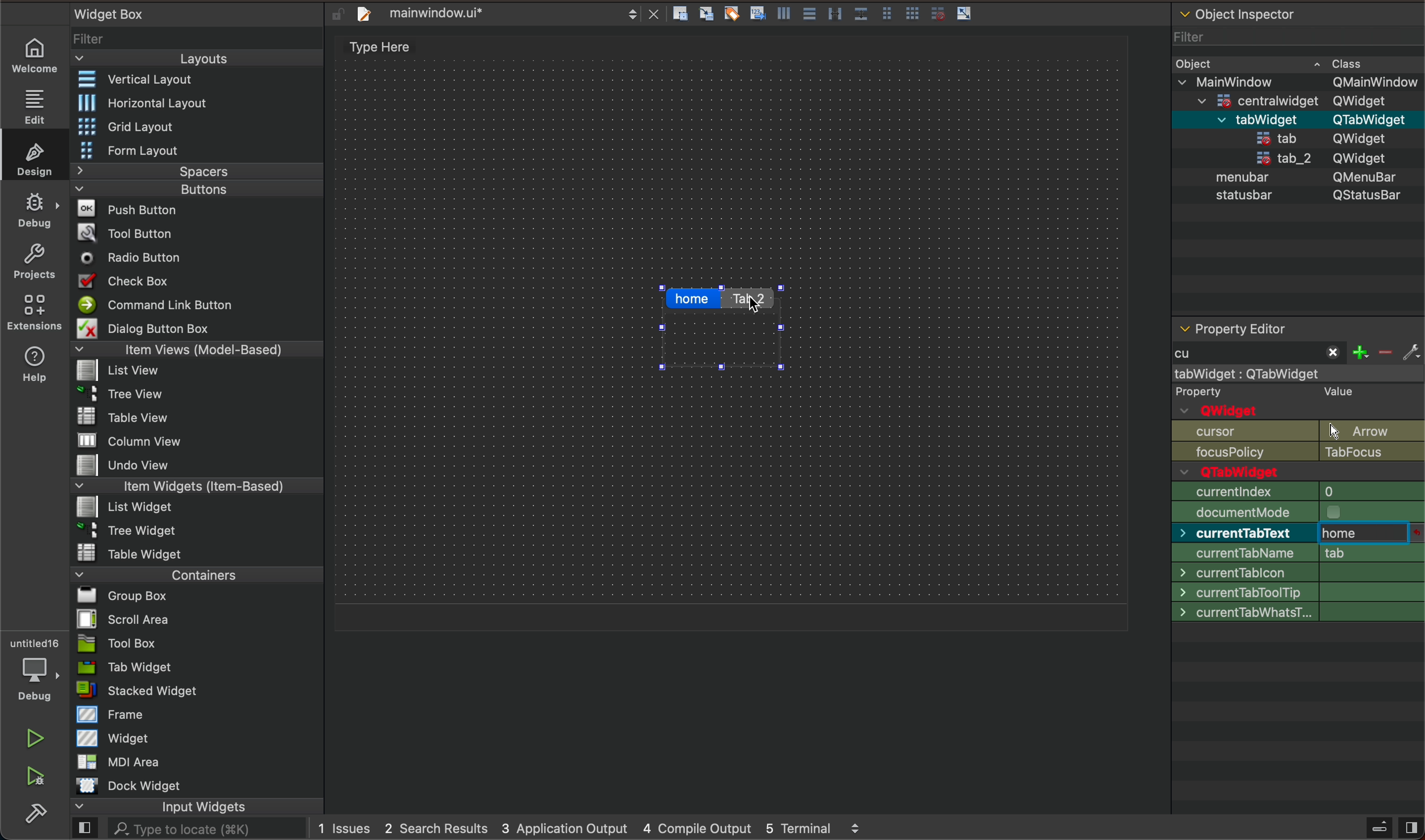 The width and height of the screenshot is (1425, 840). What do you see at coordinates (1298, 16) in the screenshot?
I see `object inspector` at bounding box center [1298, 16].